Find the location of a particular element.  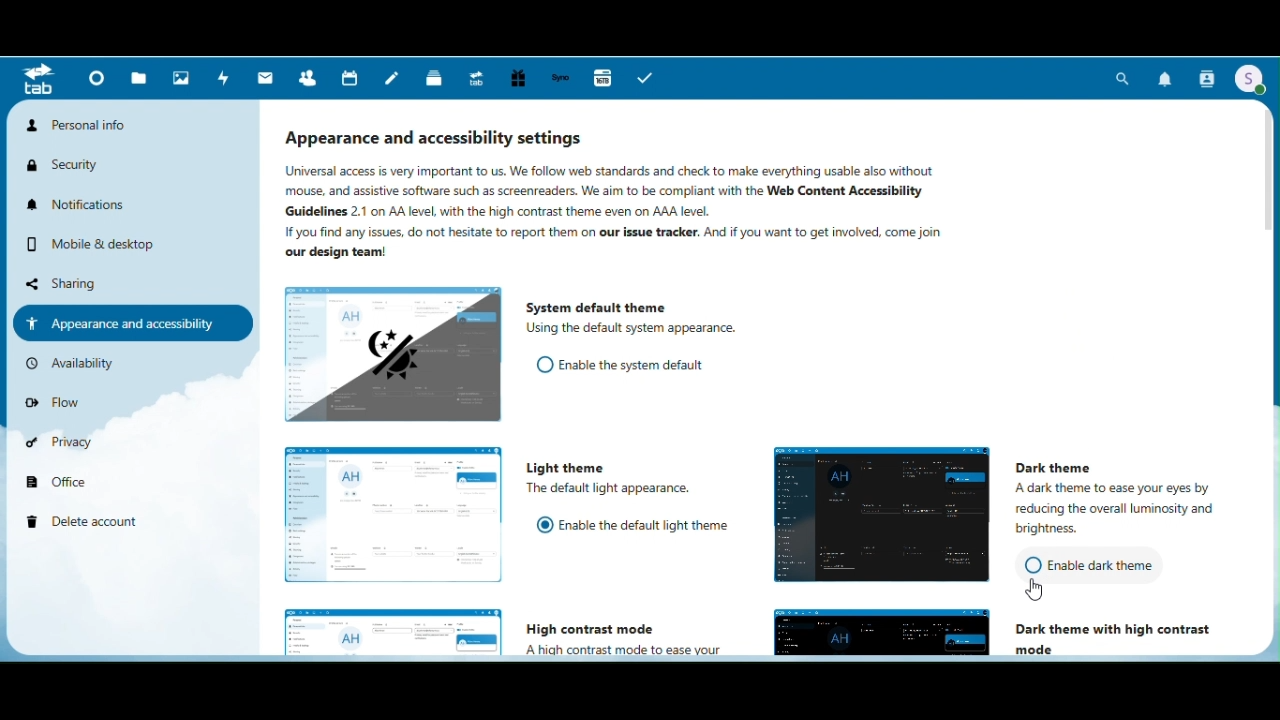

Mobile and desktop is located at coordinates (84, 243).